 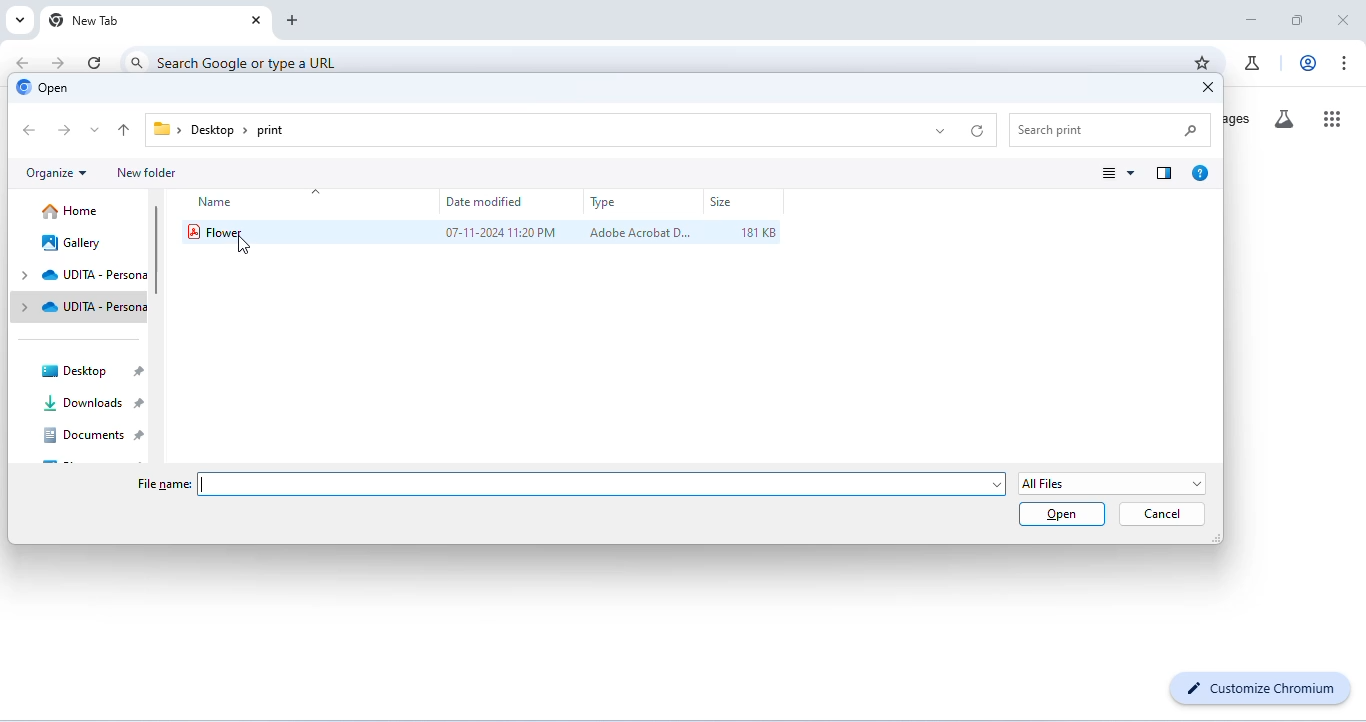 I want to click on file path, so click(x=222, y=130).